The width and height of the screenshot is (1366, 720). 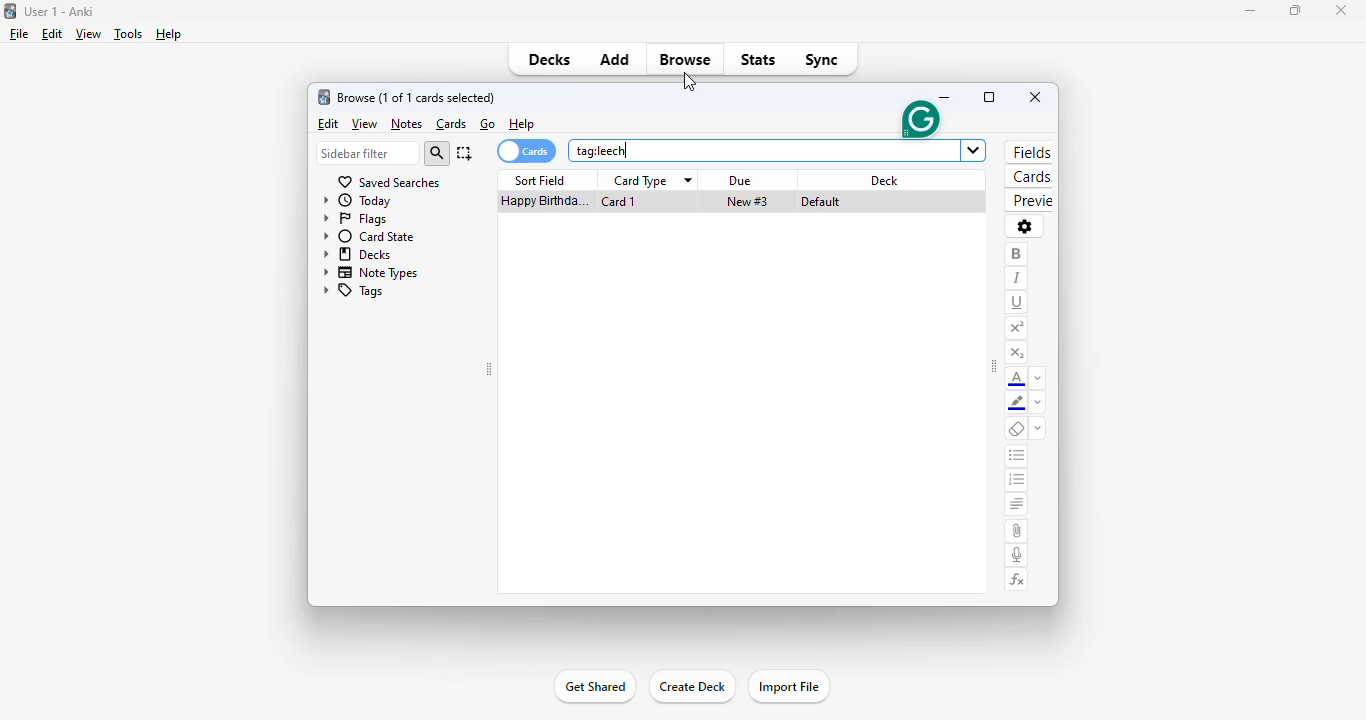 I want to click on browse, so click(x=685, y=59).